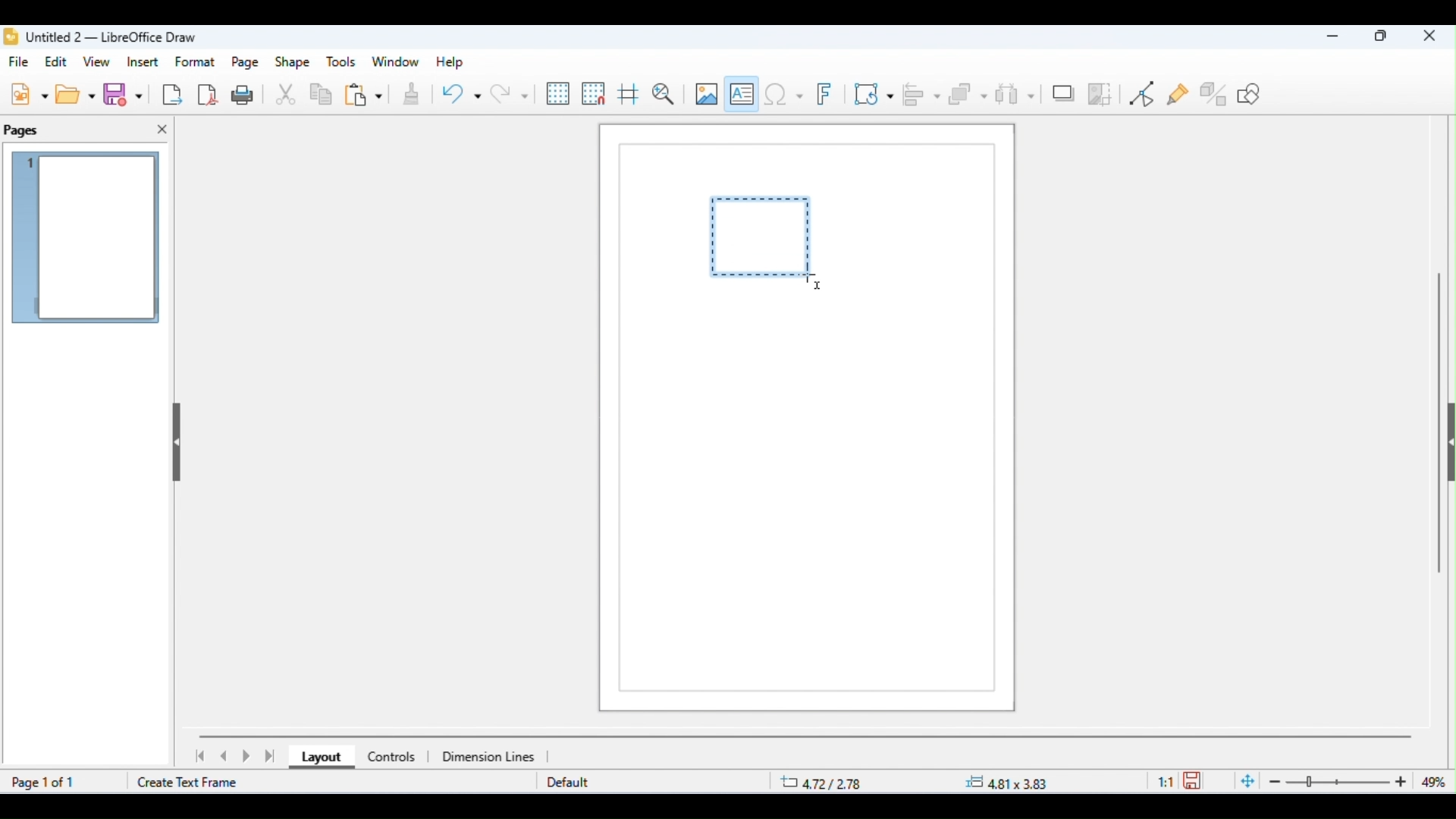 The width and height of the screenshot is (1456, 819). Describe the element at coordinates (246, 63) in the screenshot. I see `page` at that location.